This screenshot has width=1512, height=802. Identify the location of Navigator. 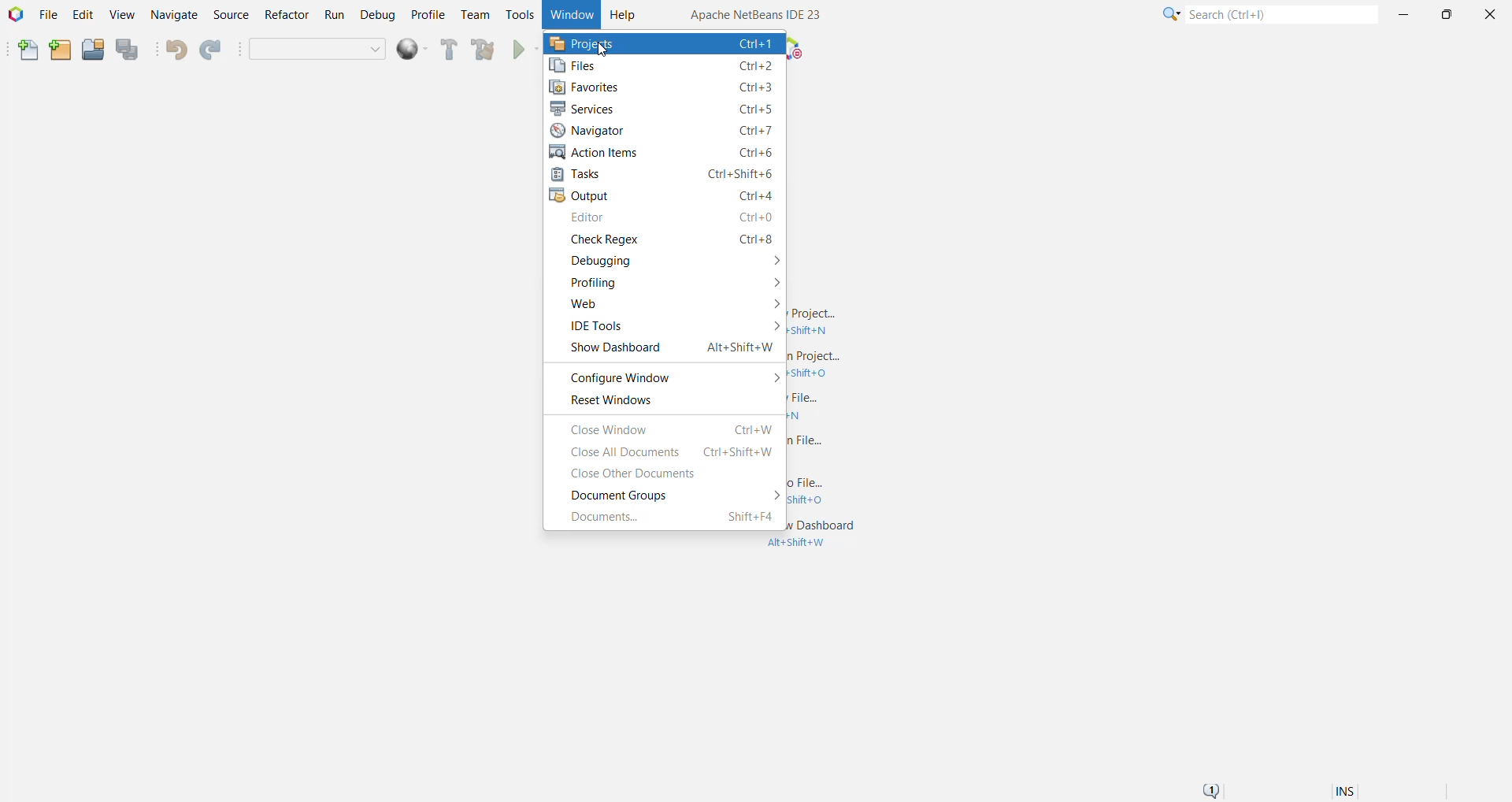
(666, 130).